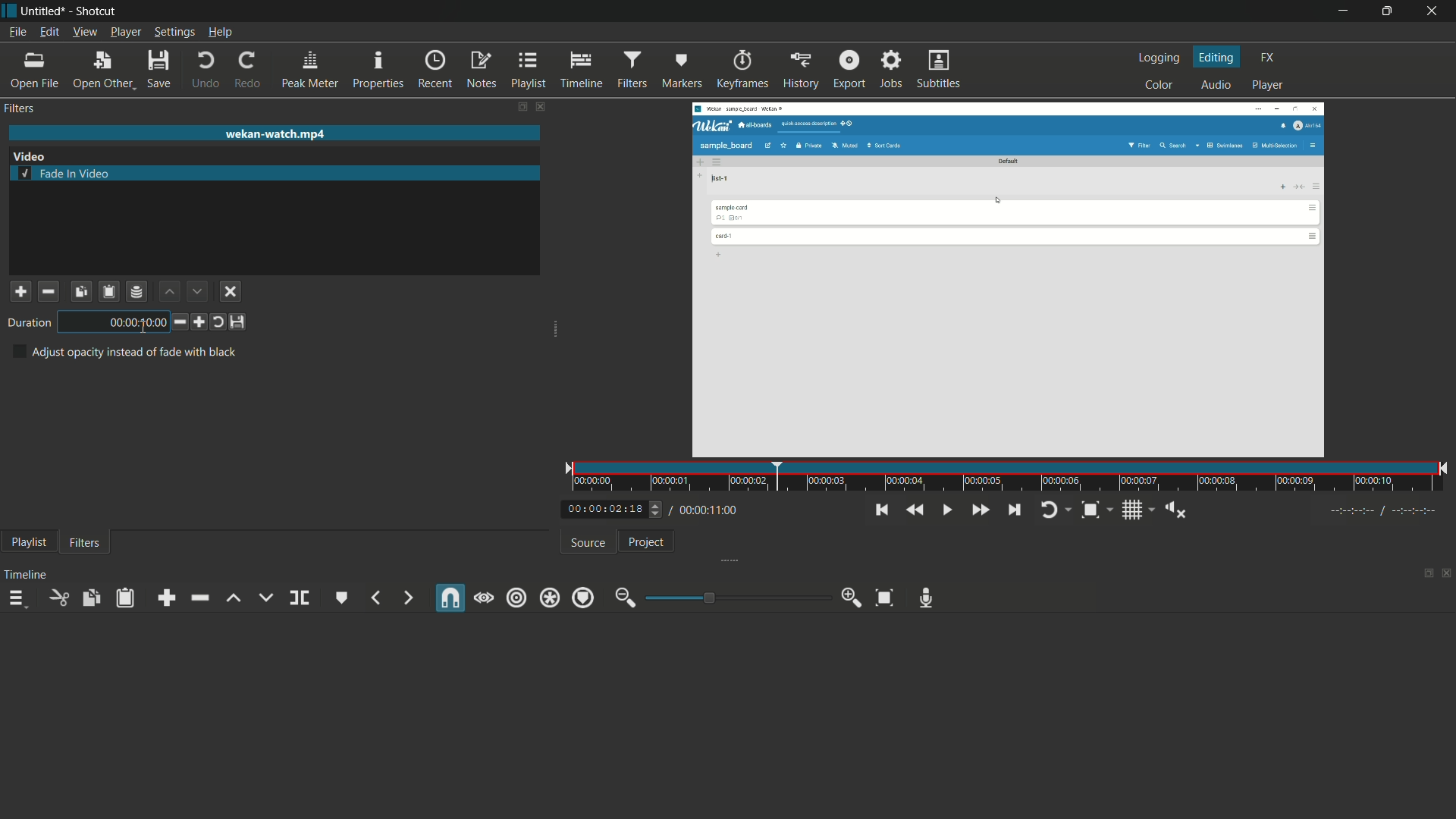 The height and width of the screenshot is (819, 1456). Describe the element at coordinates (527, 71) in the screenshot. I see `playlist` at that location.